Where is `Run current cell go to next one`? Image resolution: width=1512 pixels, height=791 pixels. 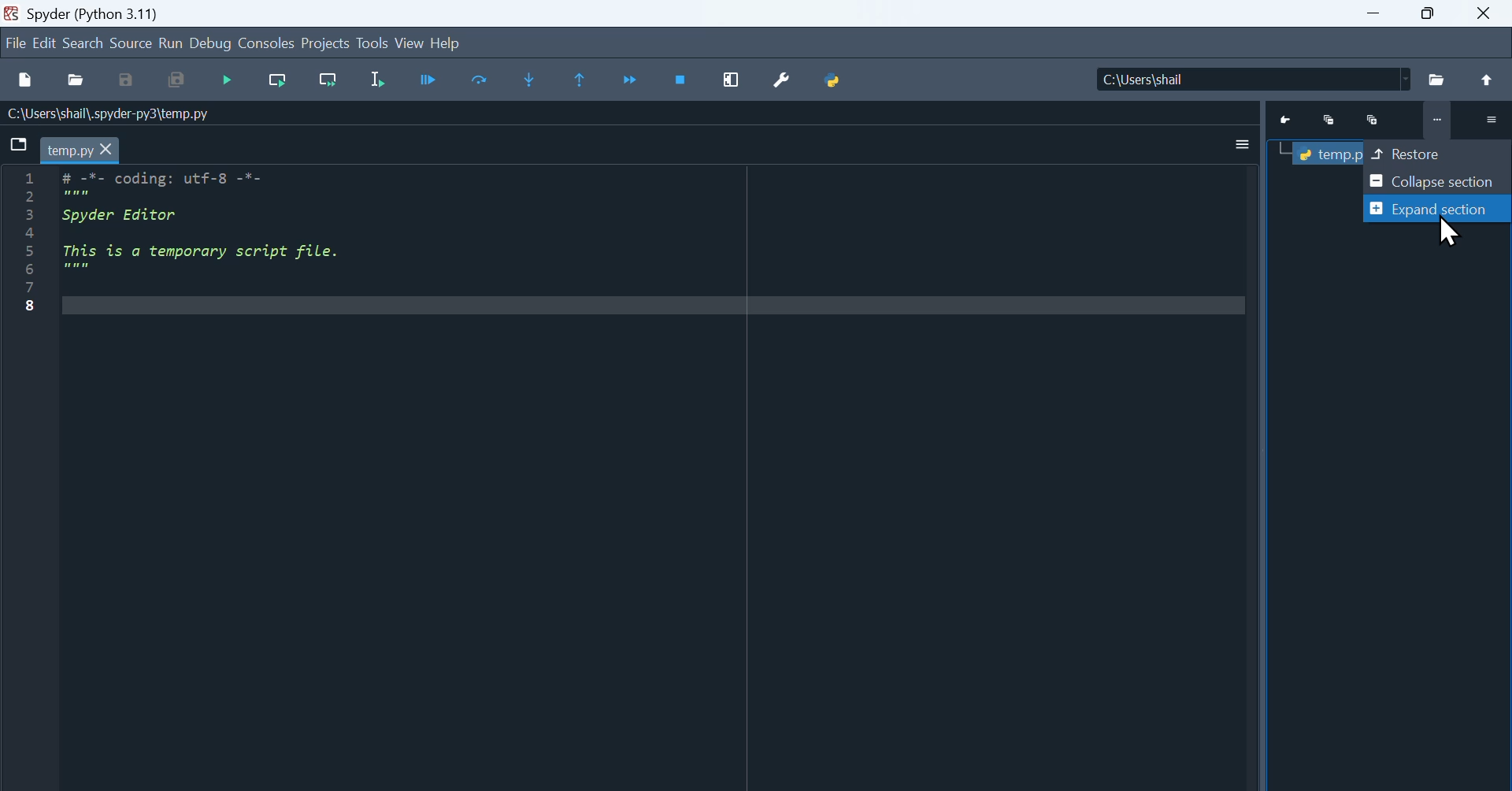 Run current cell go to next one is located at coordinates (328, 81).